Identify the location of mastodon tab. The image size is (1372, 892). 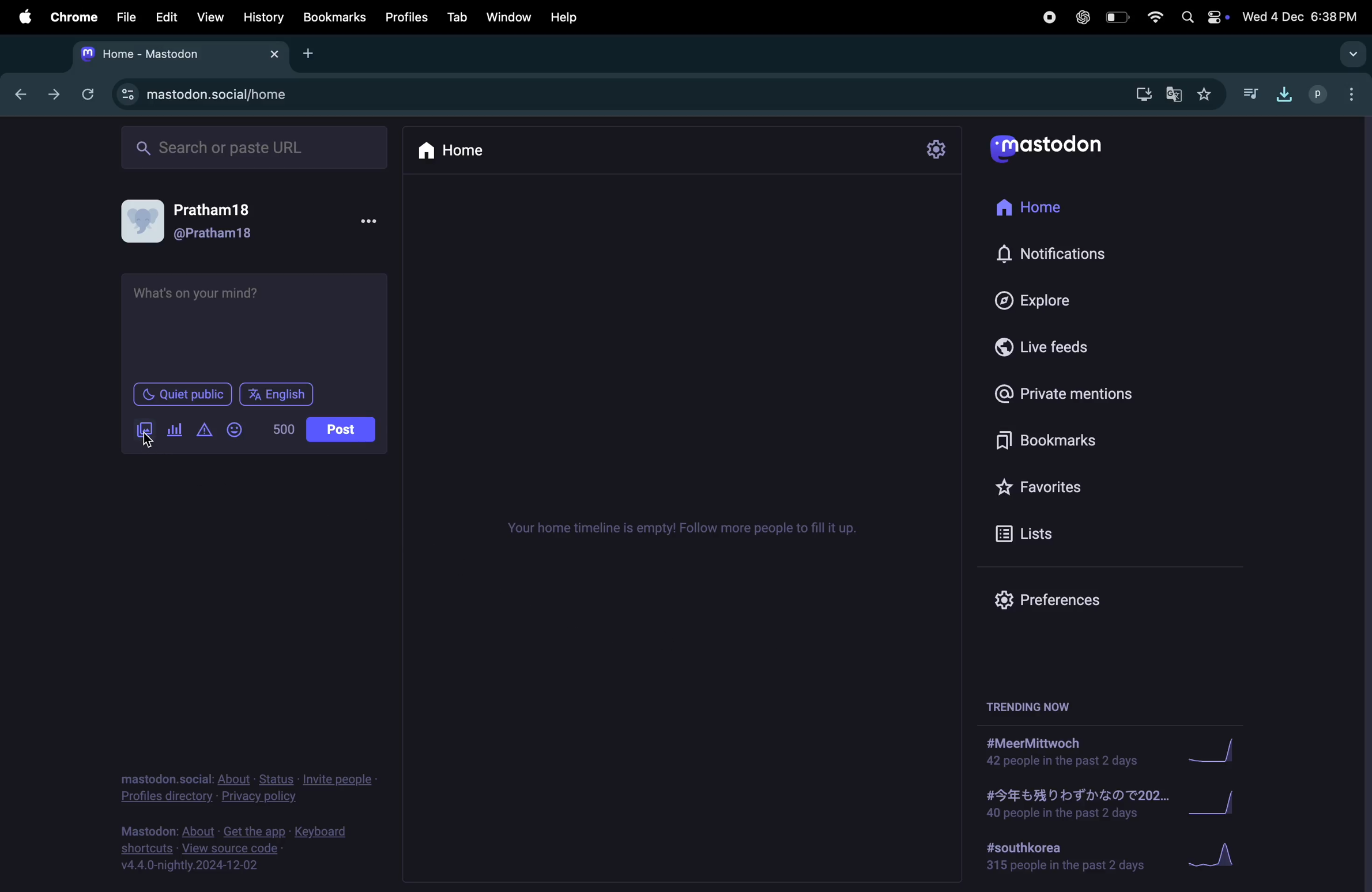
(174, 55).